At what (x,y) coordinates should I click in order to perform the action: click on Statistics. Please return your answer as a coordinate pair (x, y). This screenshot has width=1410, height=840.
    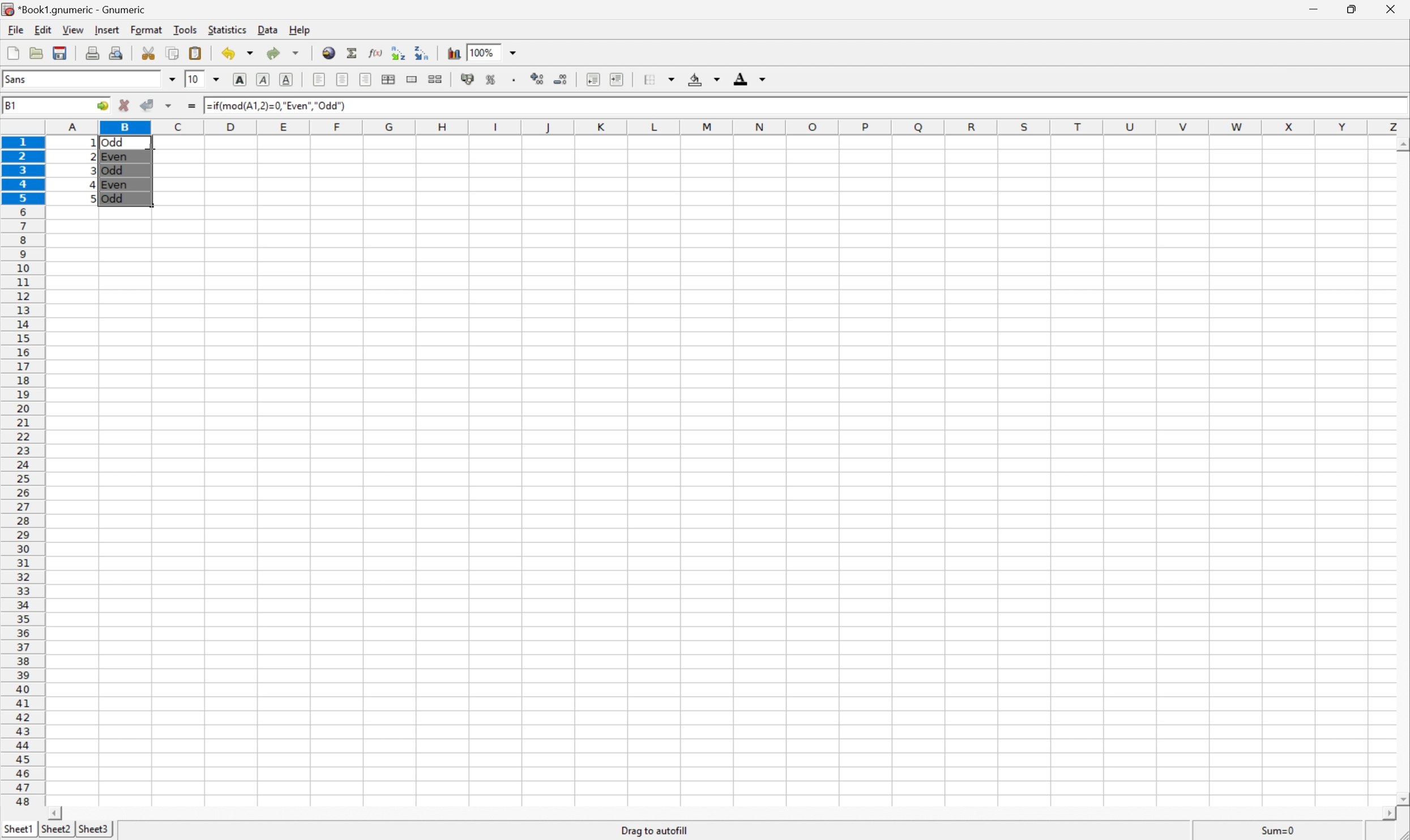
    Looking at the image, I should click on (227, 29).